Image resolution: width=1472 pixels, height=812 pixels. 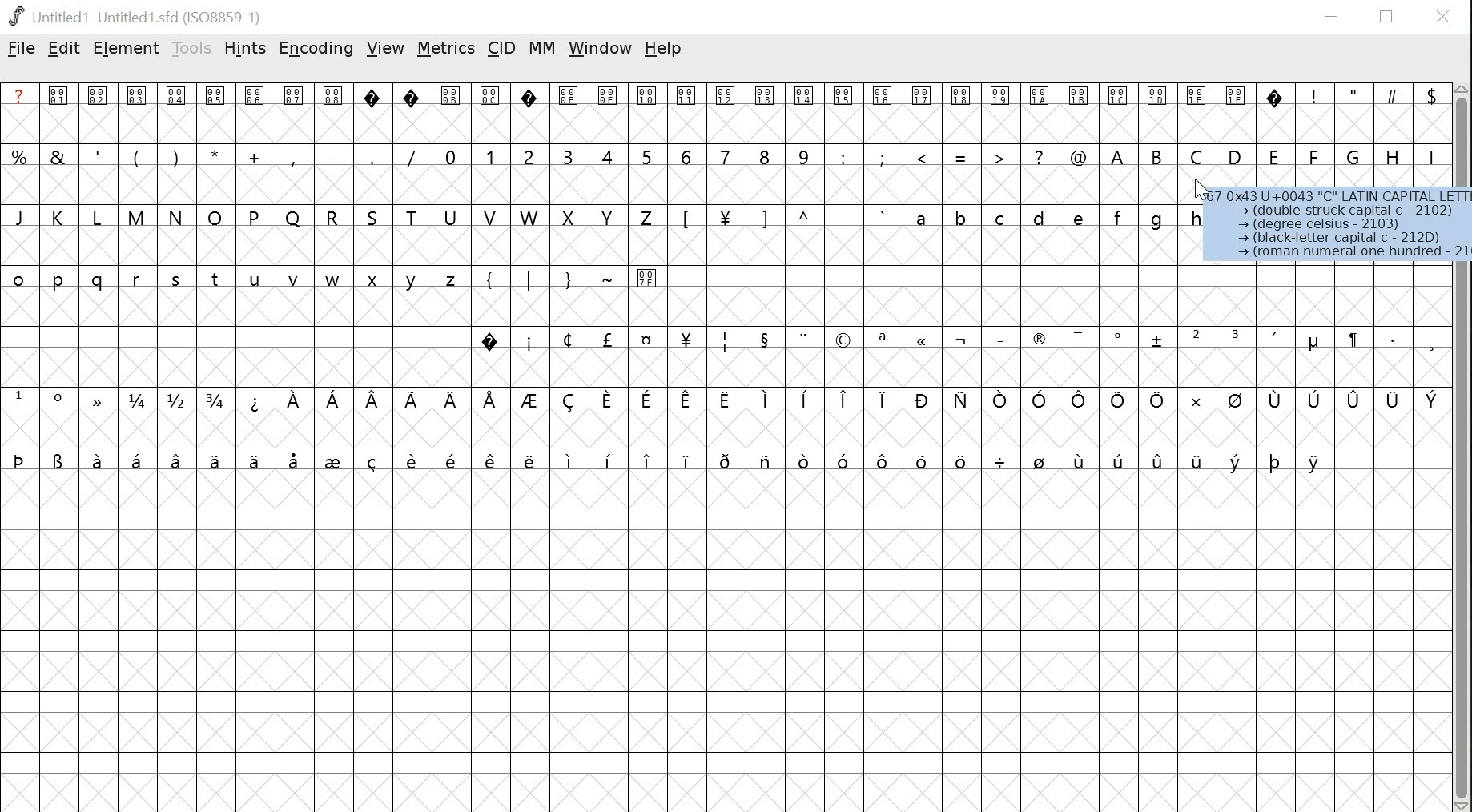 I want to click on metrics, so click(x=445, y=48).